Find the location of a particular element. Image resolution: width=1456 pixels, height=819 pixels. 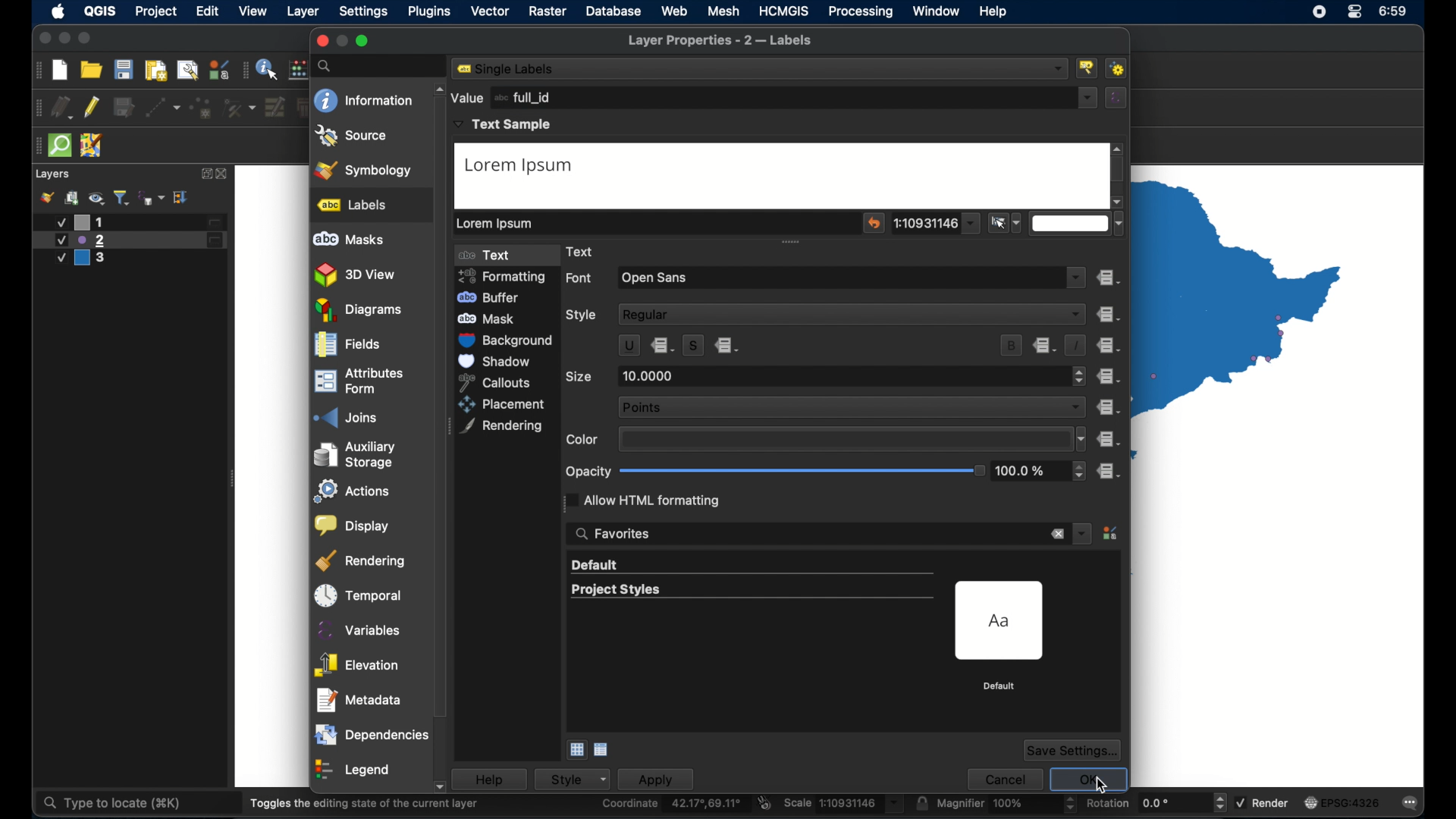

HCMGIS is located at coordinates (784, 11).